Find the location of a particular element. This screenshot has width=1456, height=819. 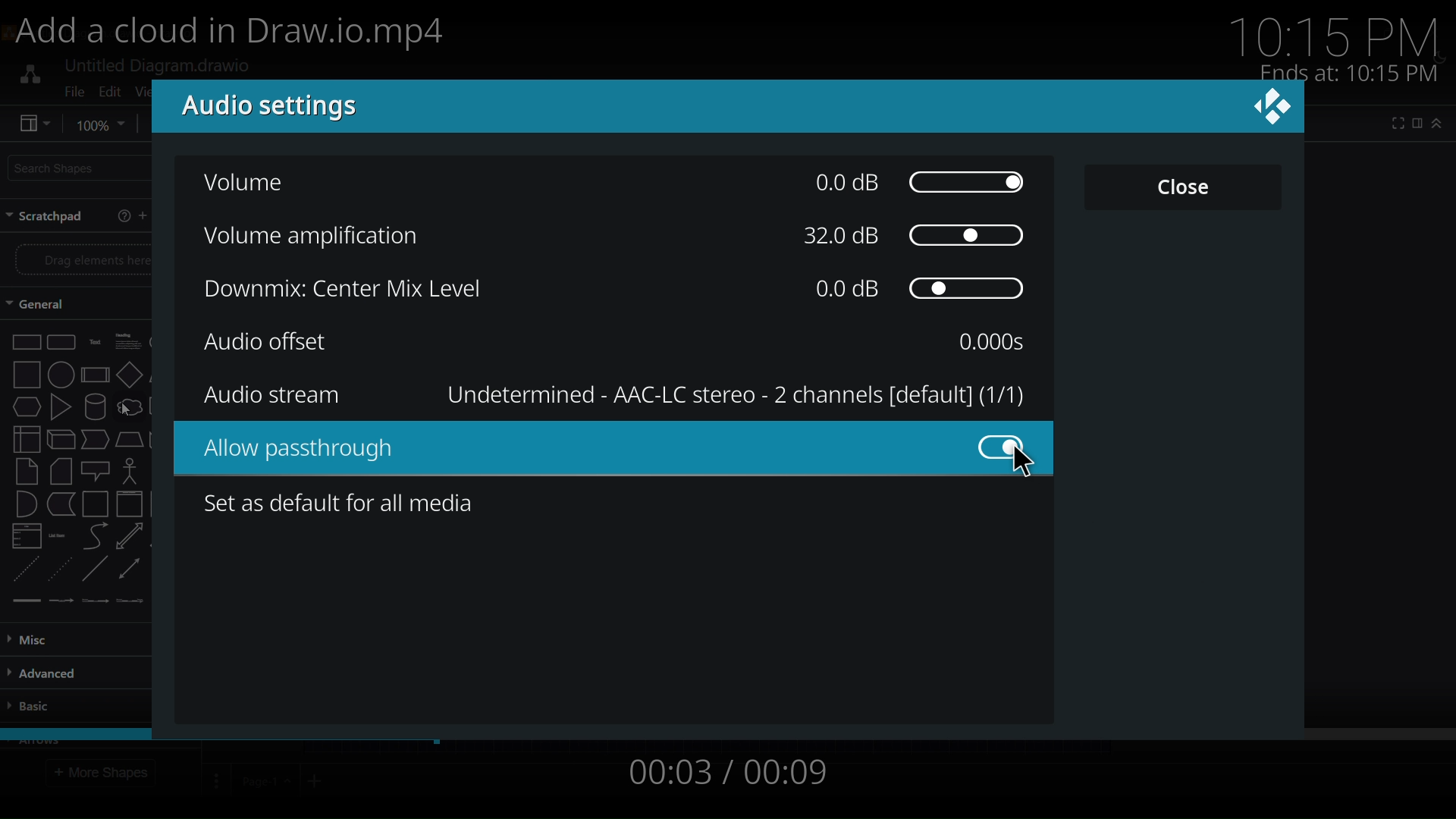

close is located at coordinates (1178, 193).